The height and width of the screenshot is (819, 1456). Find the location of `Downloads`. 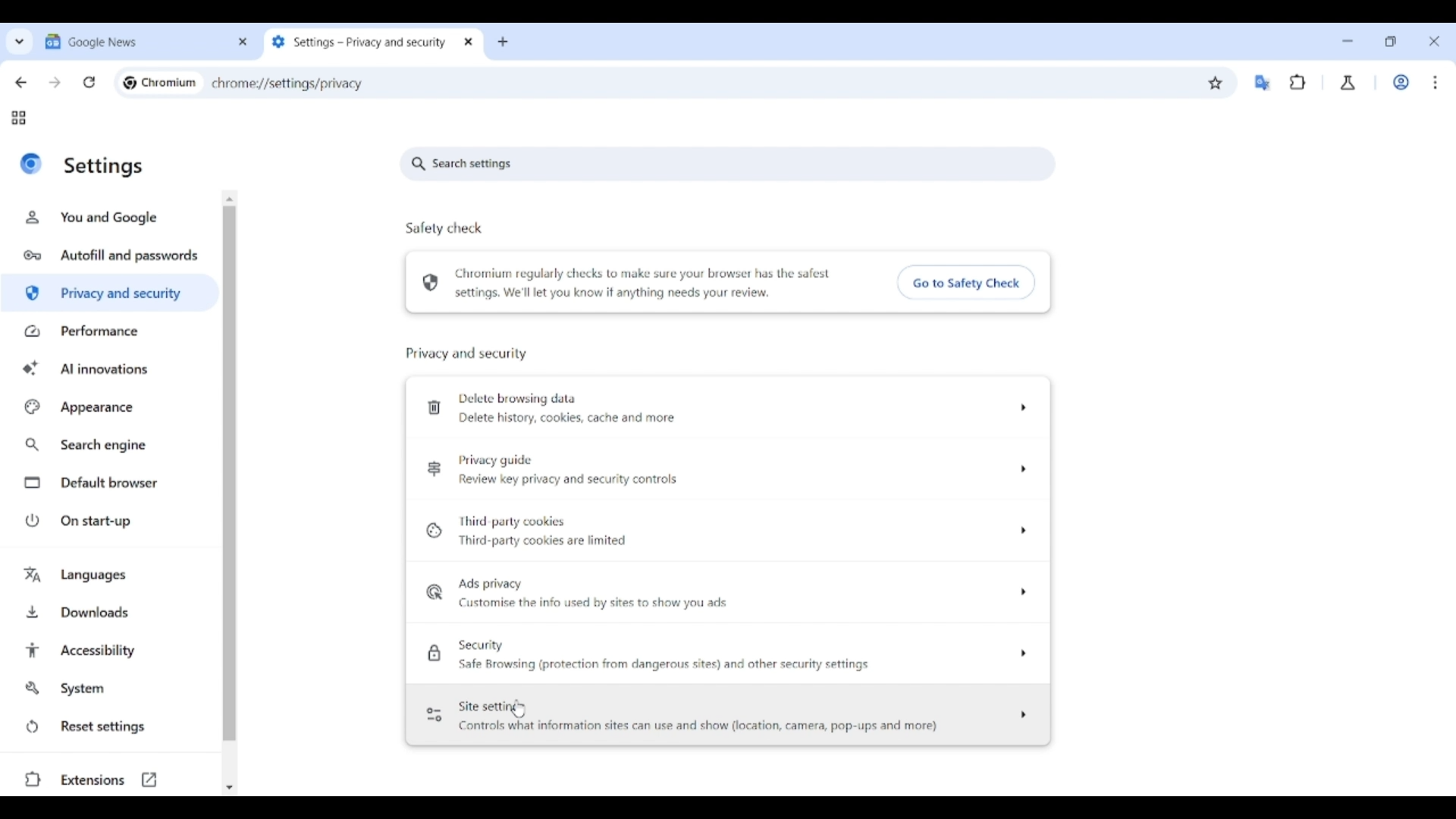

Downloads is located at coordinates (111, 610).